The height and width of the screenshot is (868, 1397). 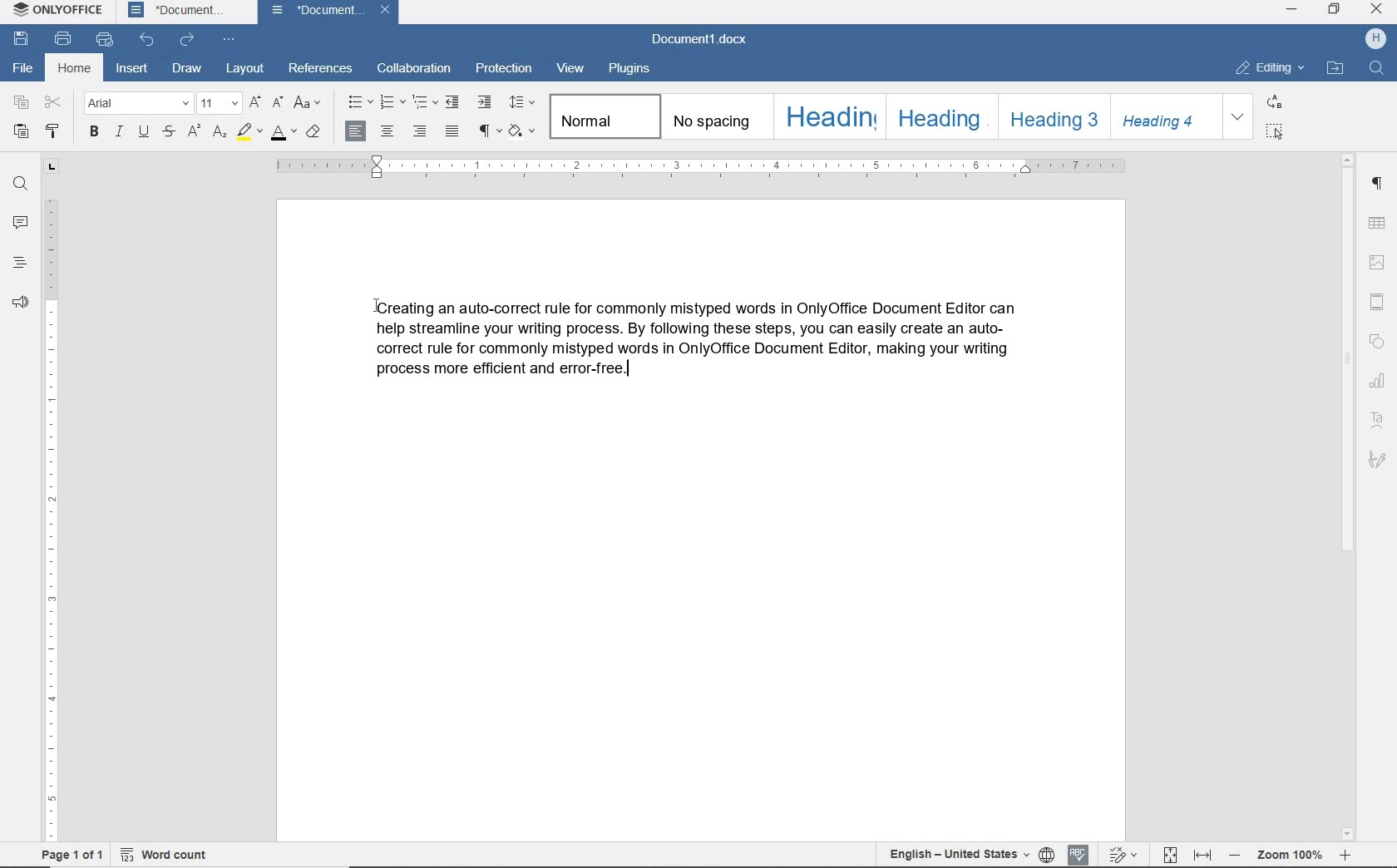 What do you see at coordinates (277, 103) in the screenshot?
I see `decrement font size` at bounding box center [277, 103].